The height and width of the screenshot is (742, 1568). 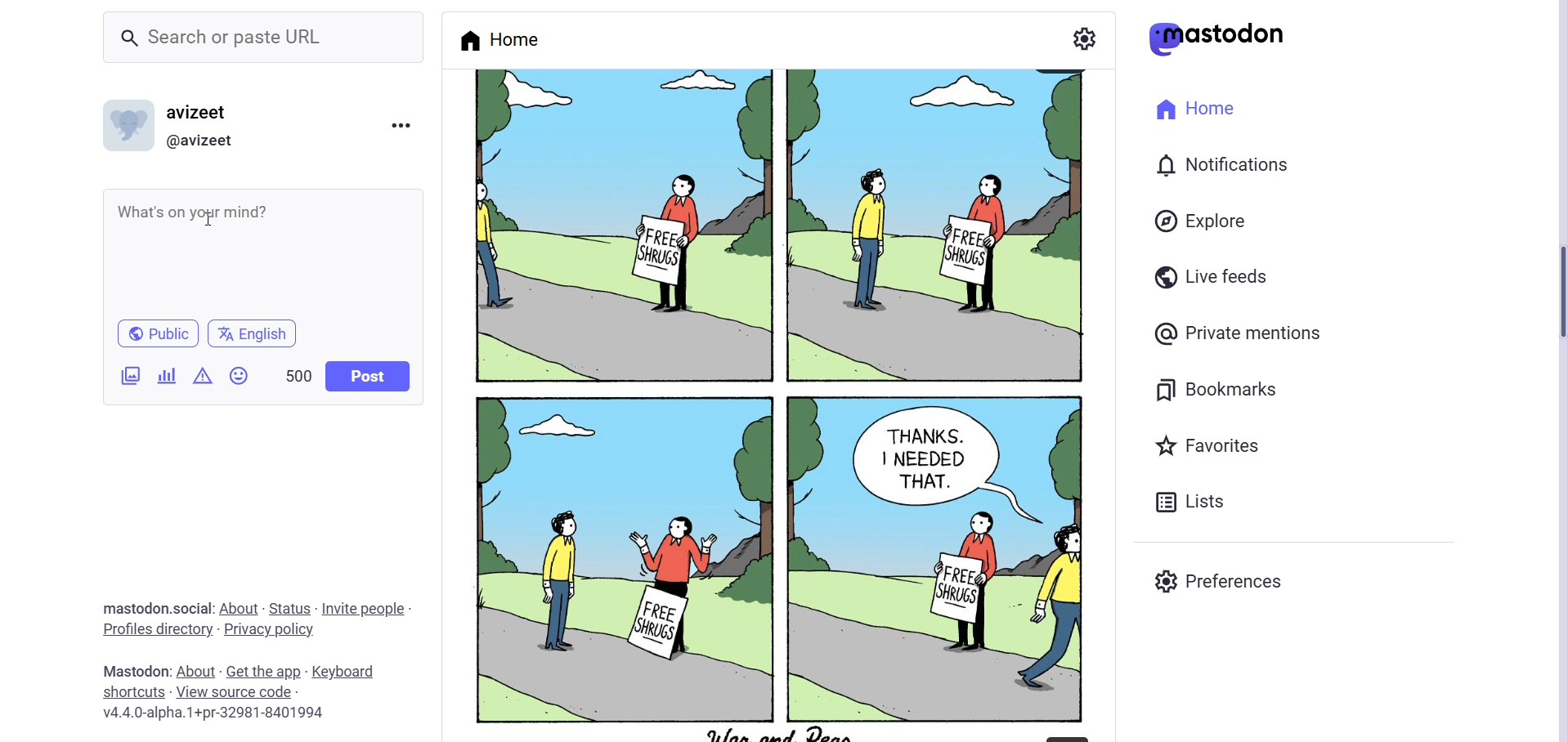 I want to click on Setting, so click(x=1084, y=37).